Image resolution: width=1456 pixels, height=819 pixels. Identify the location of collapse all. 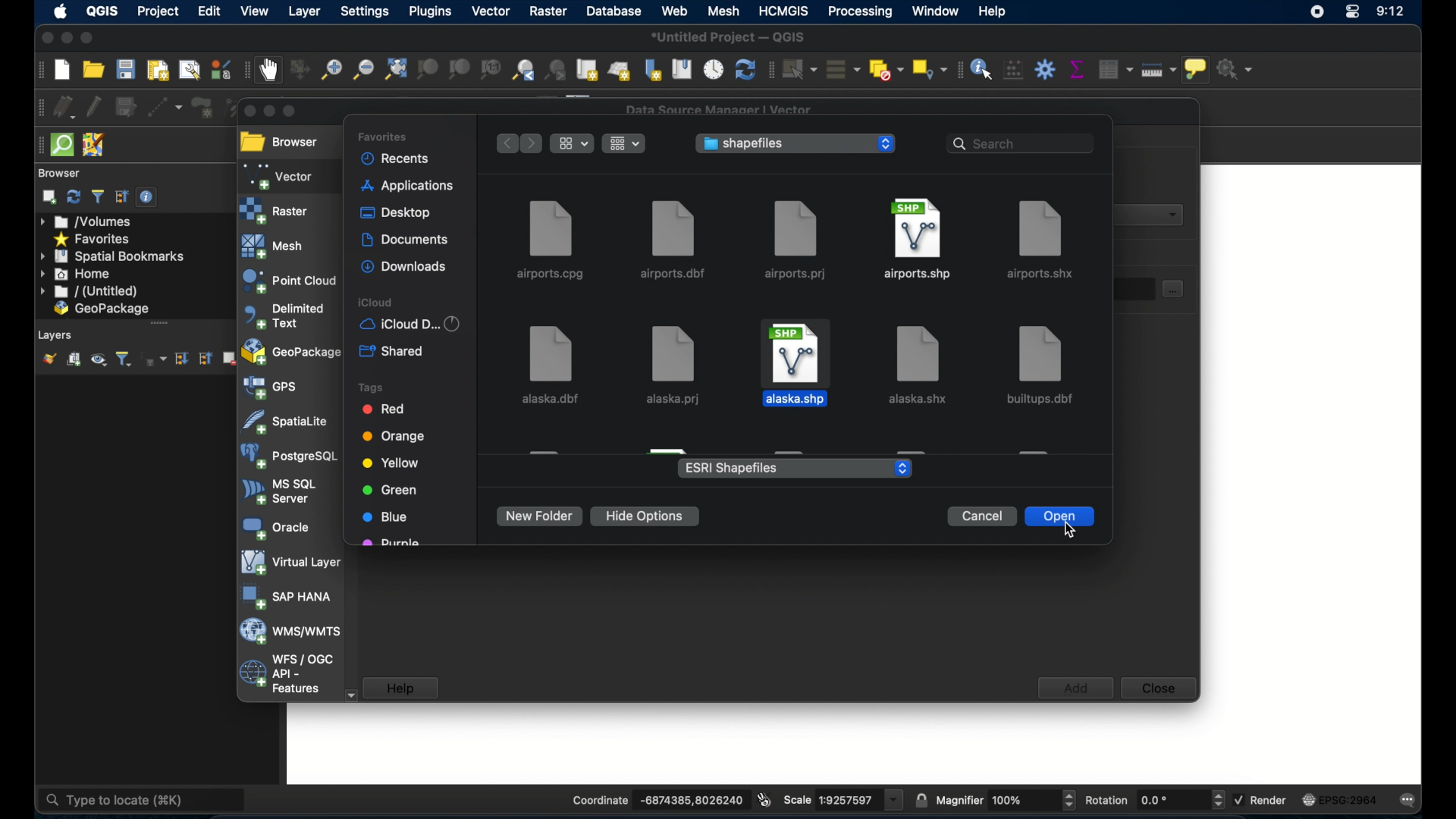
(122, 197).